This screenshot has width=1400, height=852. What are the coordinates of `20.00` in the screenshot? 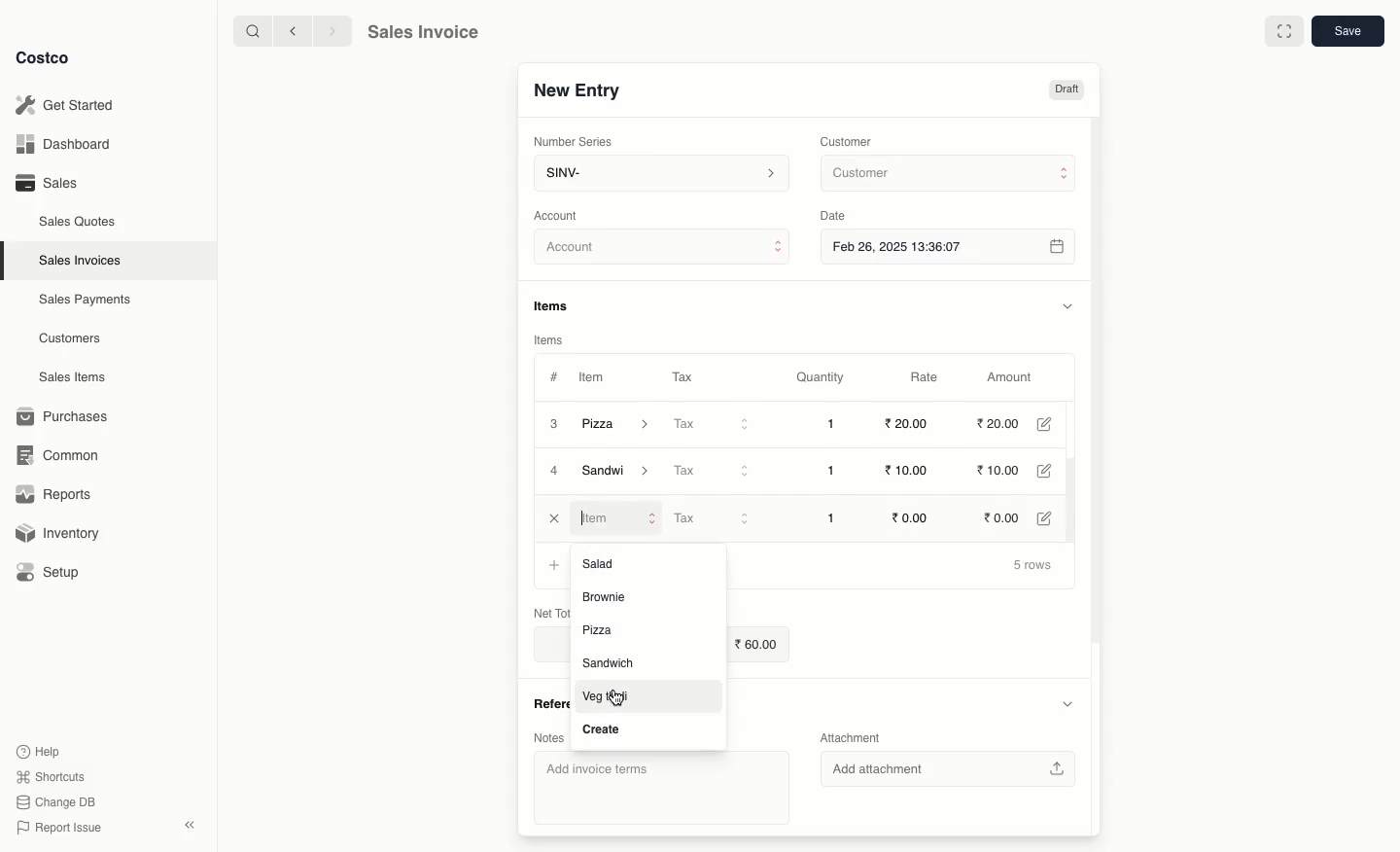 It's located at (905, 424).